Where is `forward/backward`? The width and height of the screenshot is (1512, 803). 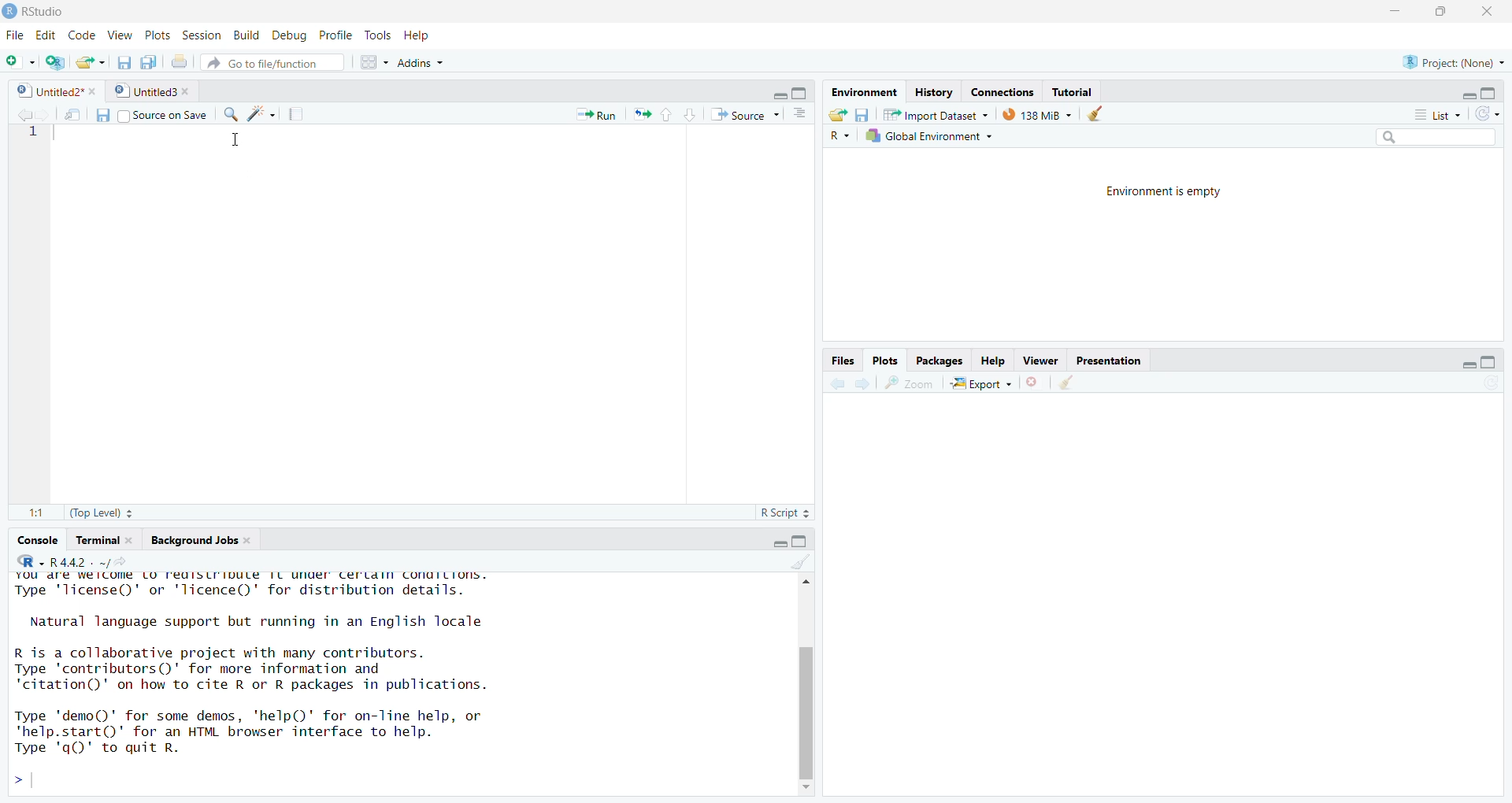 forward/backward is located at coordinates (28, 116).